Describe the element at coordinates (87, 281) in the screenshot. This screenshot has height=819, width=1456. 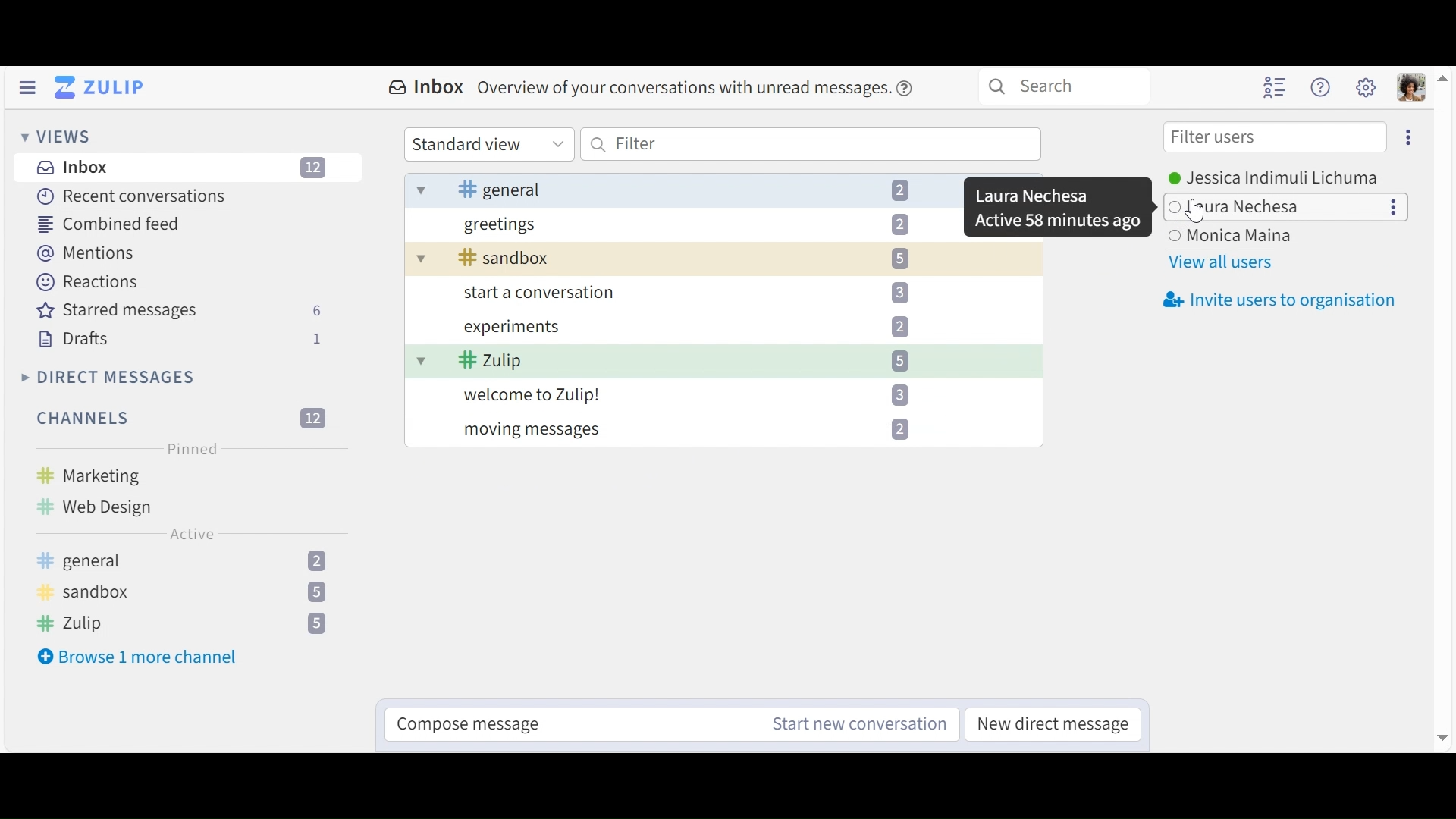
I see `Reaction` at that location.